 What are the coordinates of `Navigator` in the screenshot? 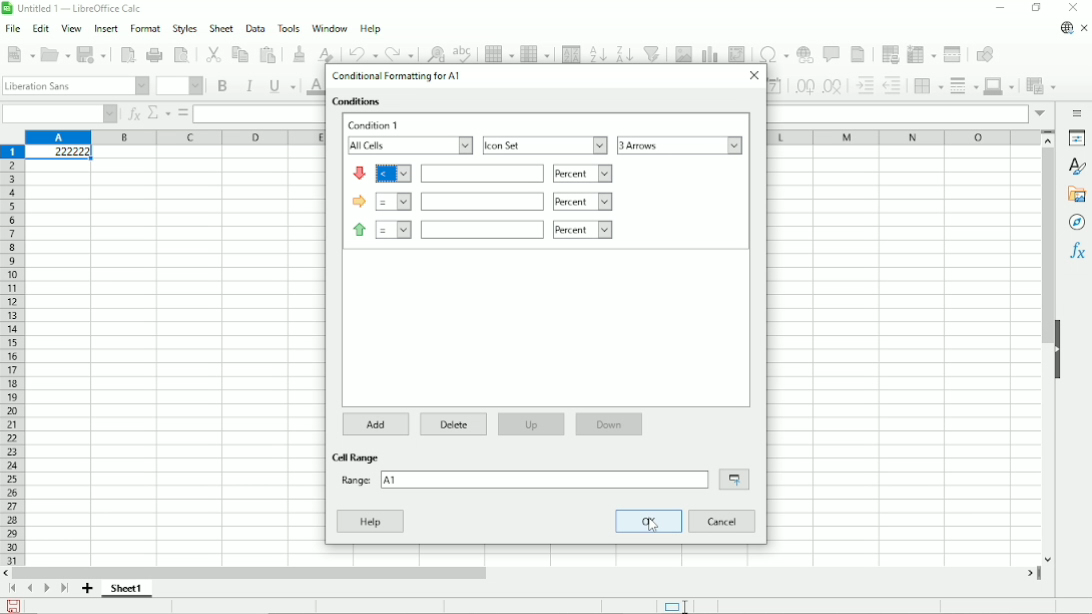 It's located at (1076, 222).